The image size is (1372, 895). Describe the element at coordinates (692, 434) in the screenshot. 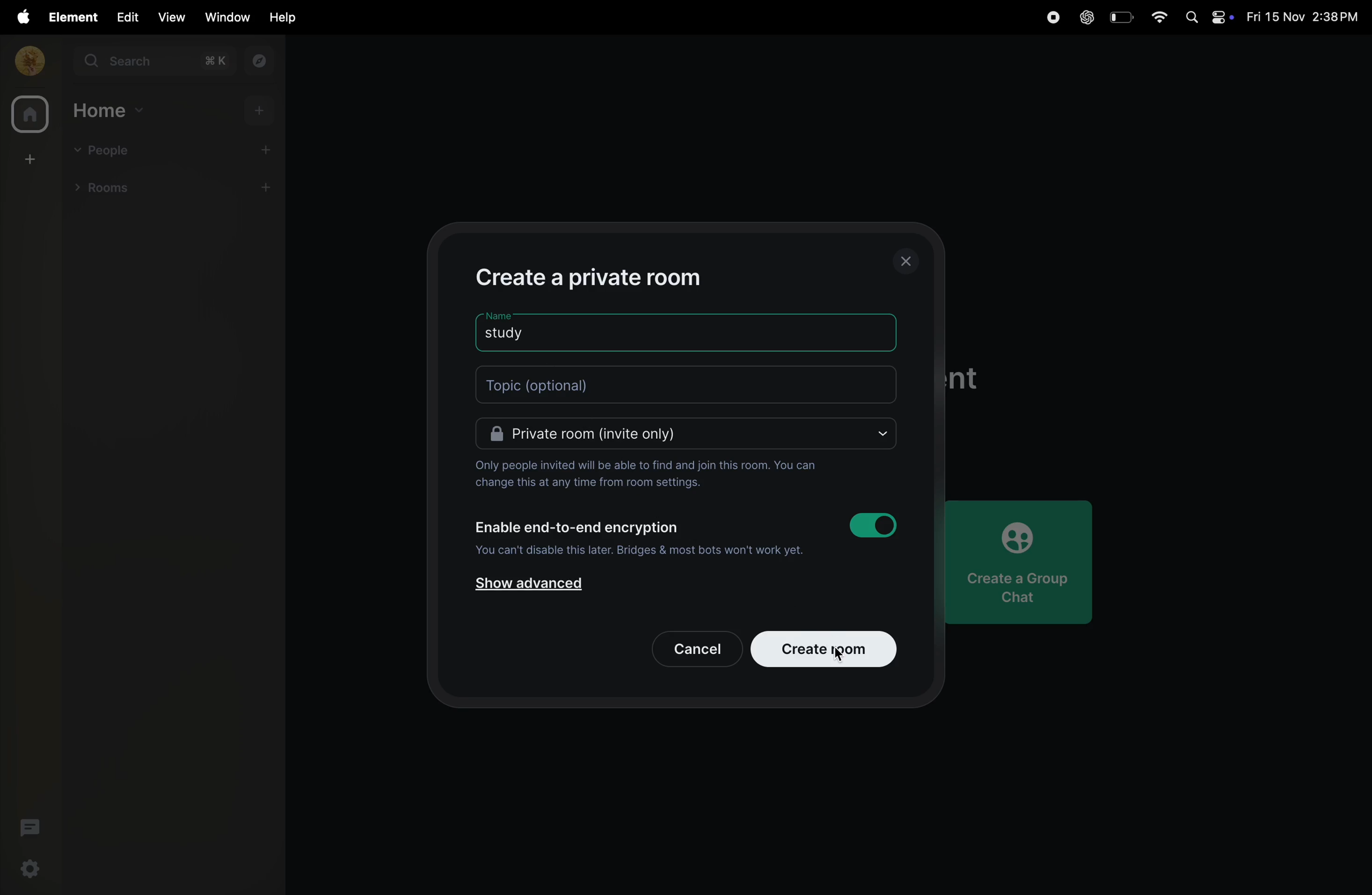

I see `Private room(invite only)` at that location.